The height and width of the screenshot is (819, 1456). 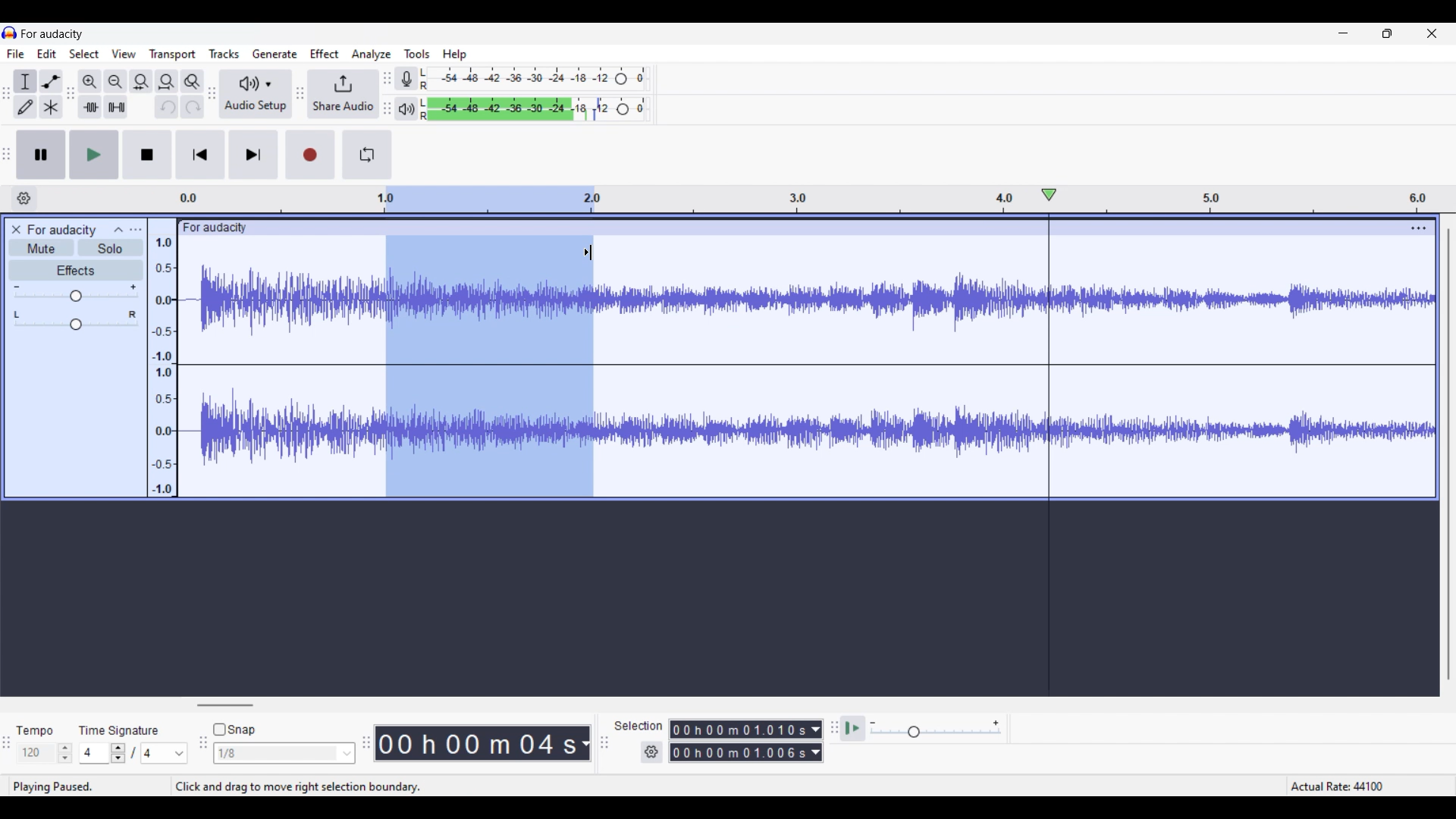 I want to click on selection, so click(x=638, y=725).